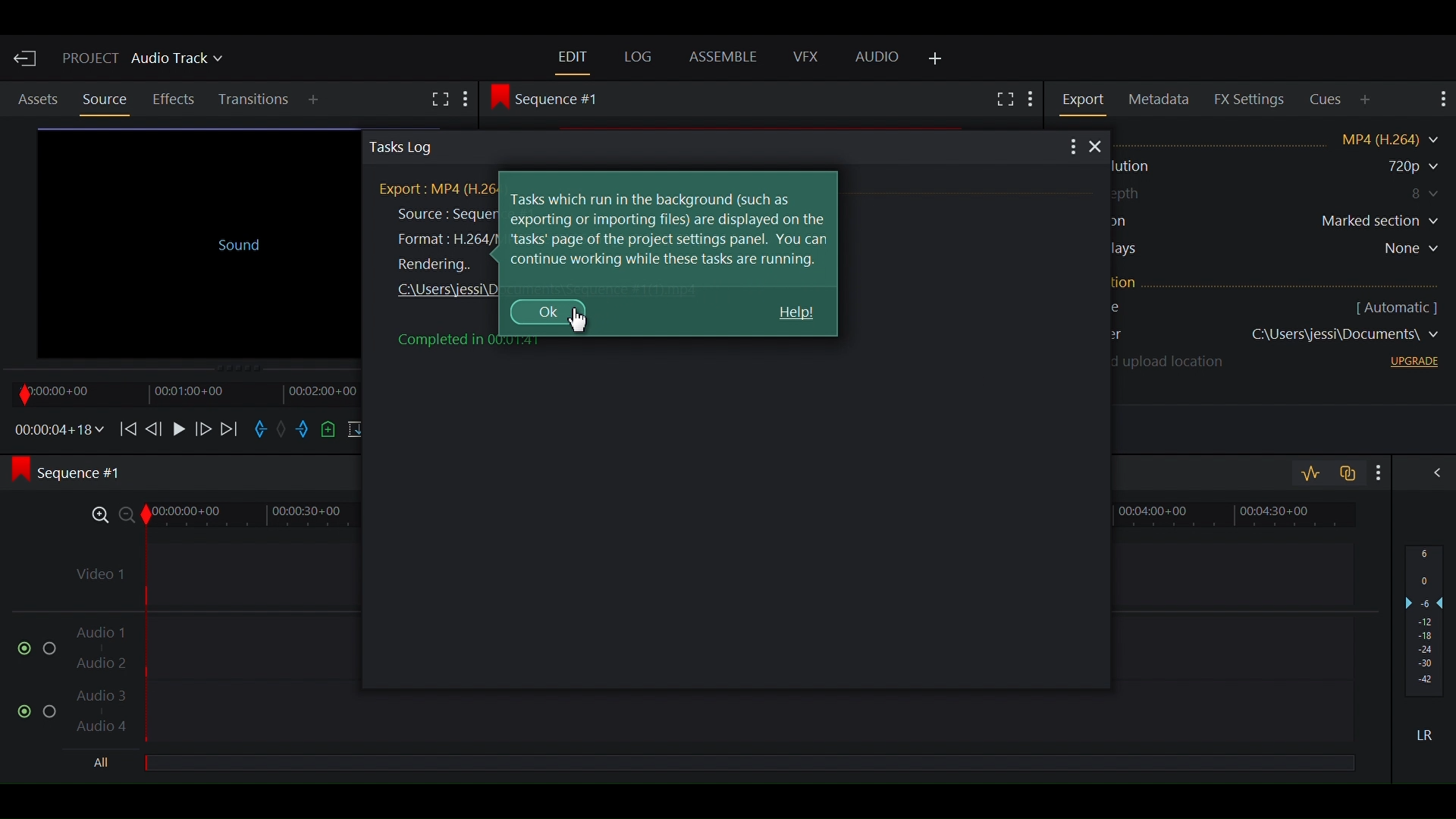 The width and height of the screenshot is (1456, 819). Describe the element at coordinates (551, 98) in the screenshot. I see `Sequence #1` at that location.